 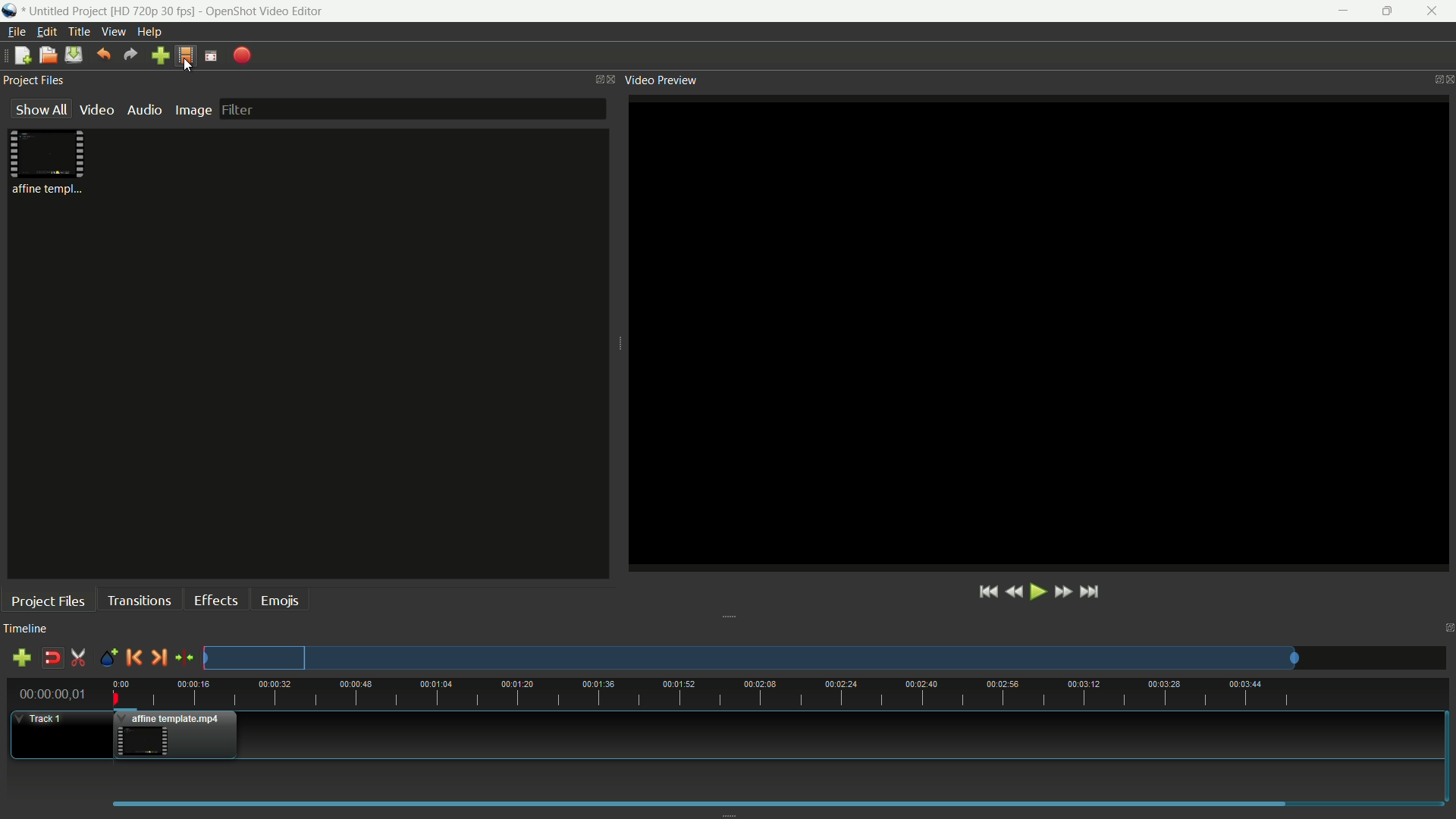 I want to click on center the timeline on the playhead, so click(x=184, y=657).